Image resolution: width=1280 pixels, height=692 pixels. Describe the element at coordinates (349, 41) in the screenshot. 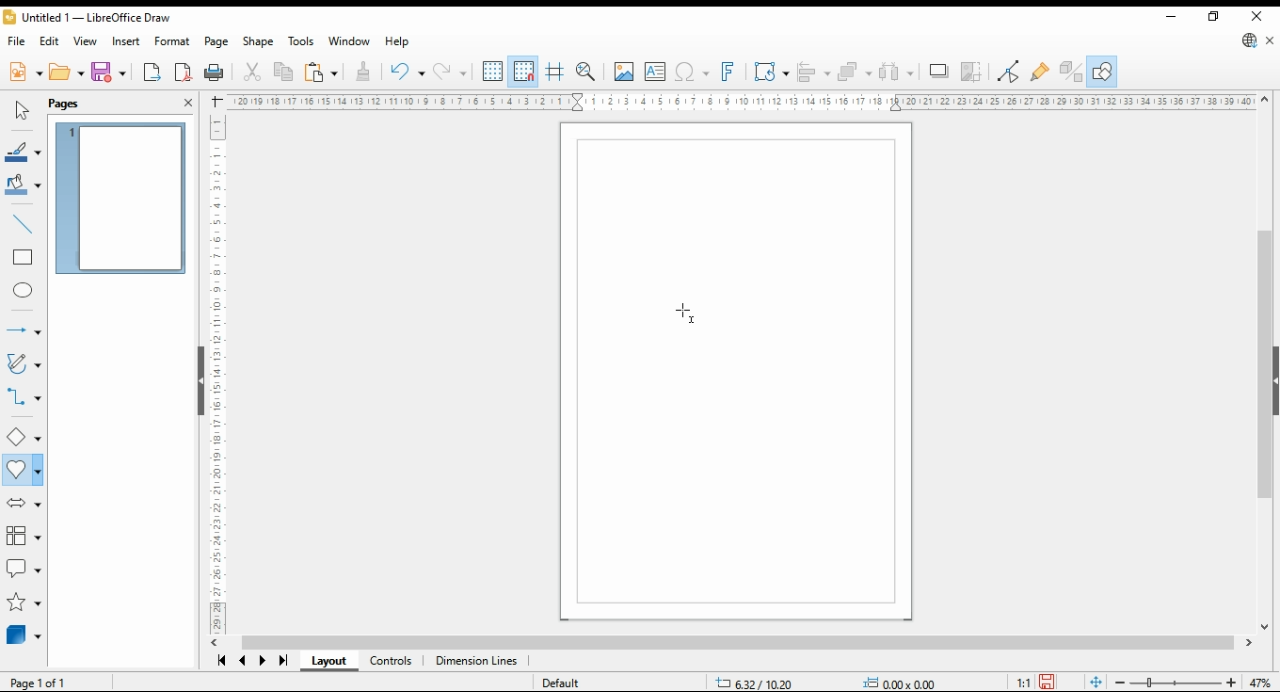

I see `window` at that location.